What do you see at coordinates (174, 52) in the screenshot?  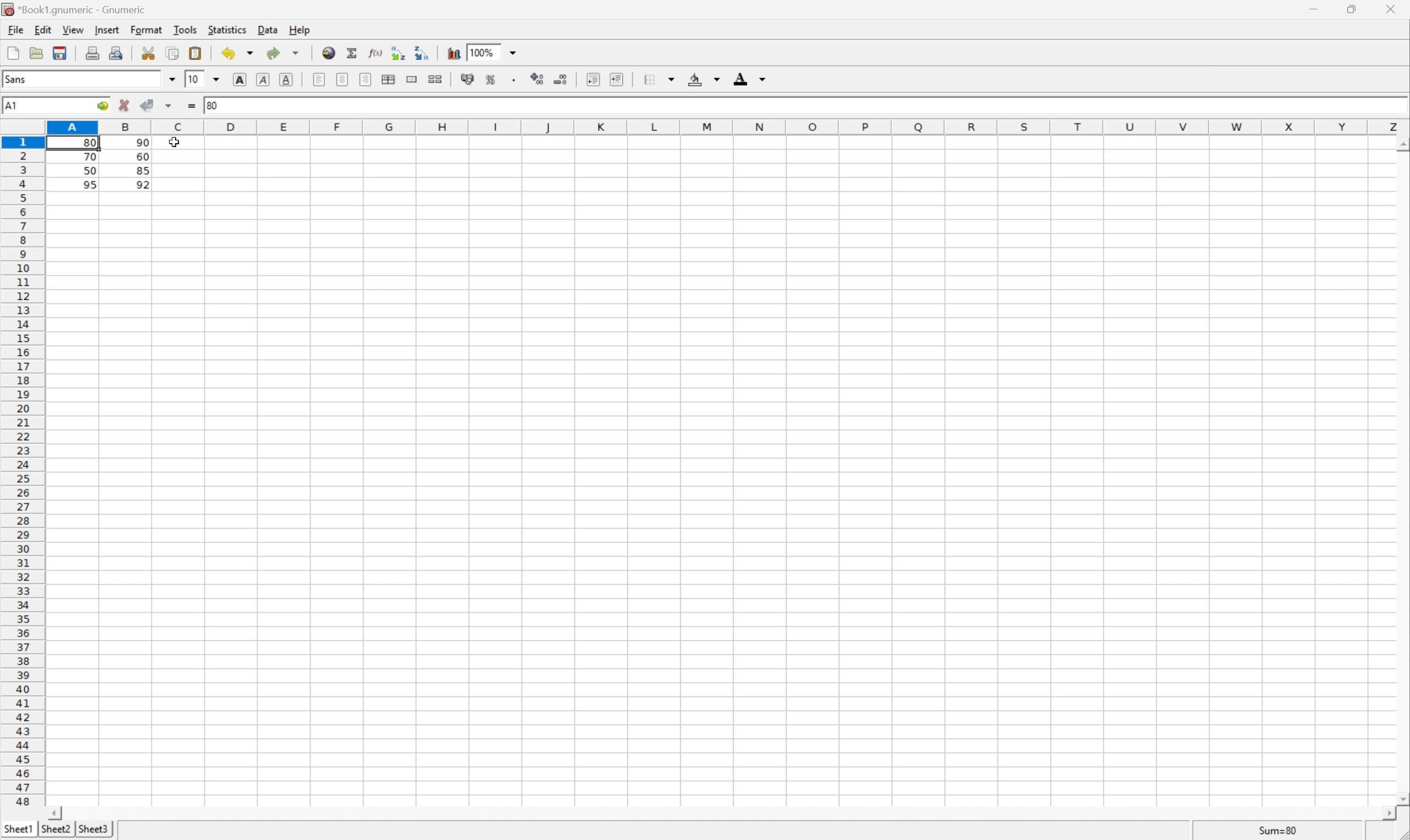 I see `Copy the selection` at bounding box center [174, 52].